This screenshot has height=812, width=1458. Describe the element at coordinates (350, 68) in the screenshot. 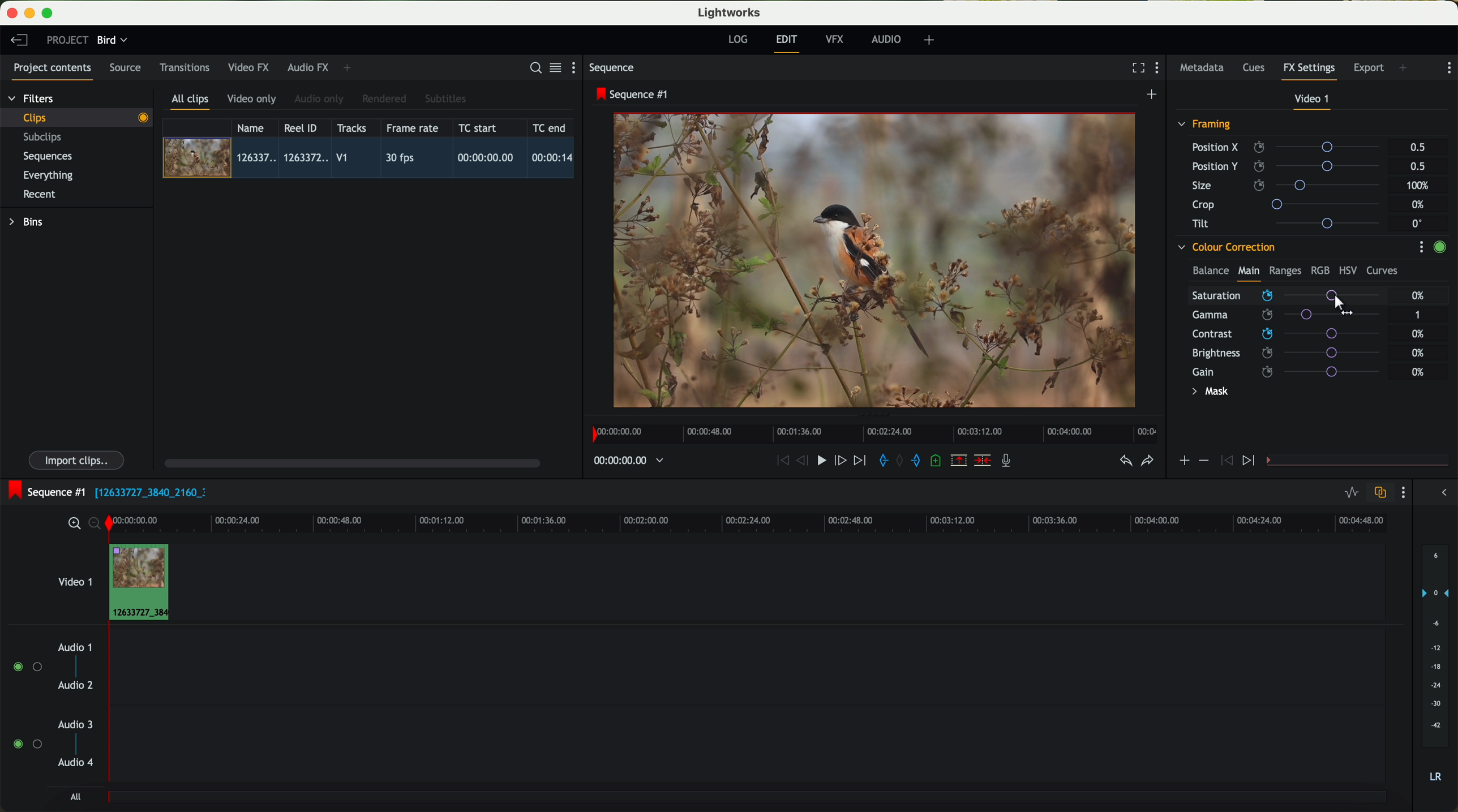

I see `add panel` at that location.